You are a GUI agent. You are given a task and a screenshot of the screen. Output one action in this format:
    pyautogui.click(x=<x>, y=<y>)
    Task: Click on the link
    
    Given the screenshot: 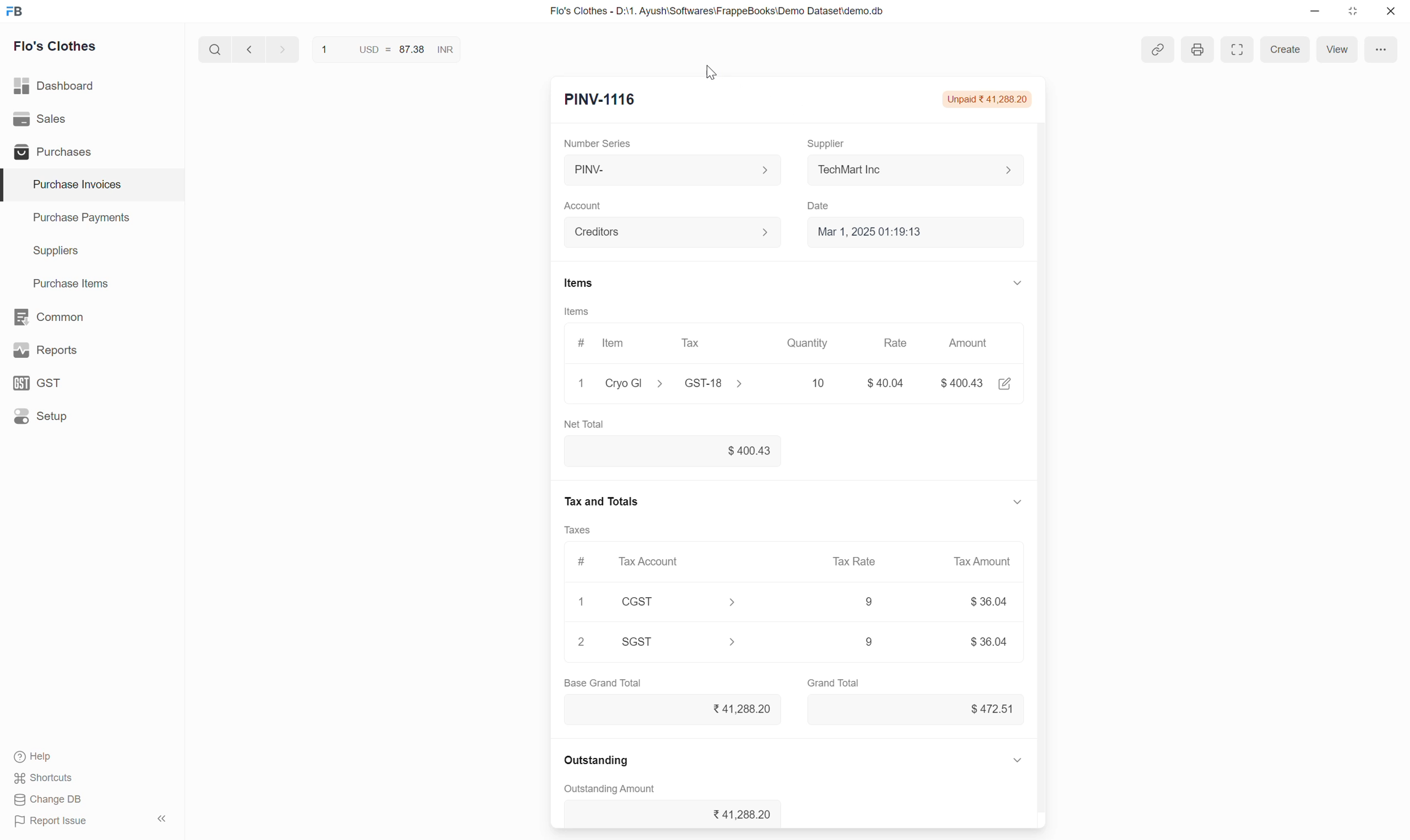 What is the action you would take?
    pyautogui.click(x=1158, y=51)
    